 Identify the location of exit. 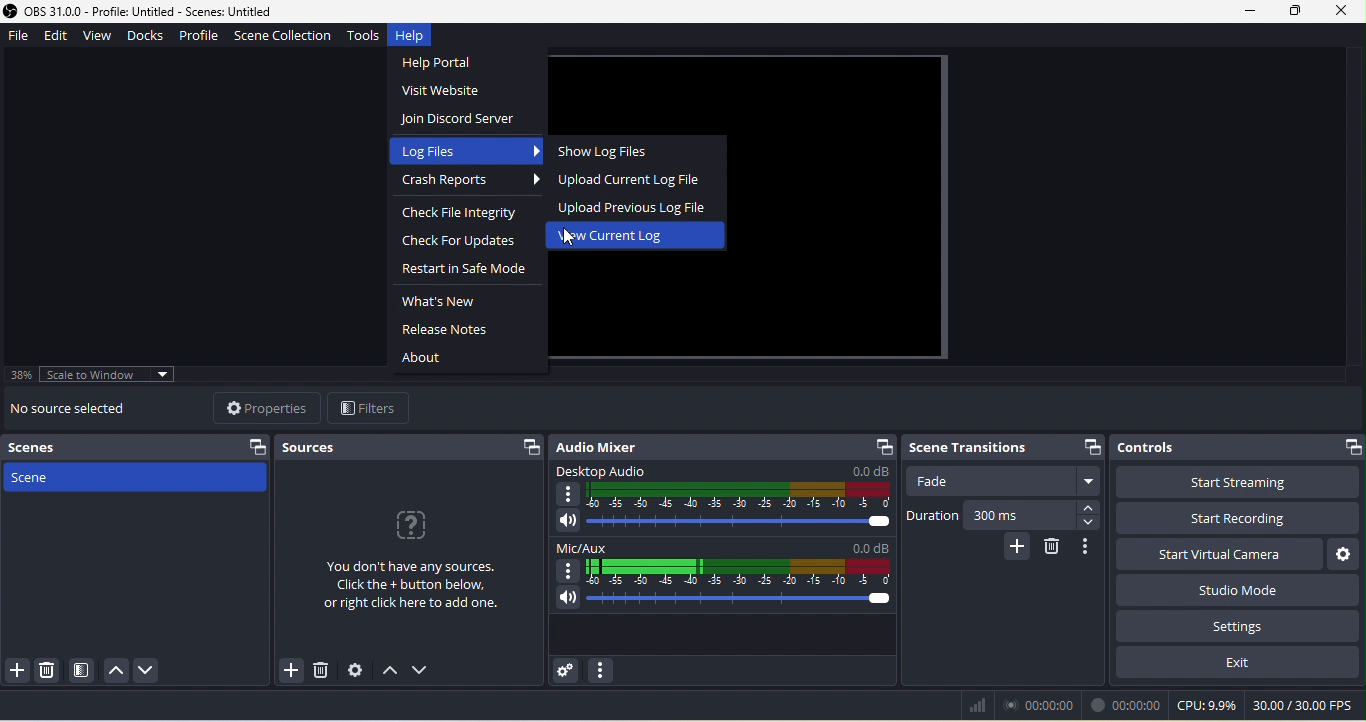
(1240, 668).